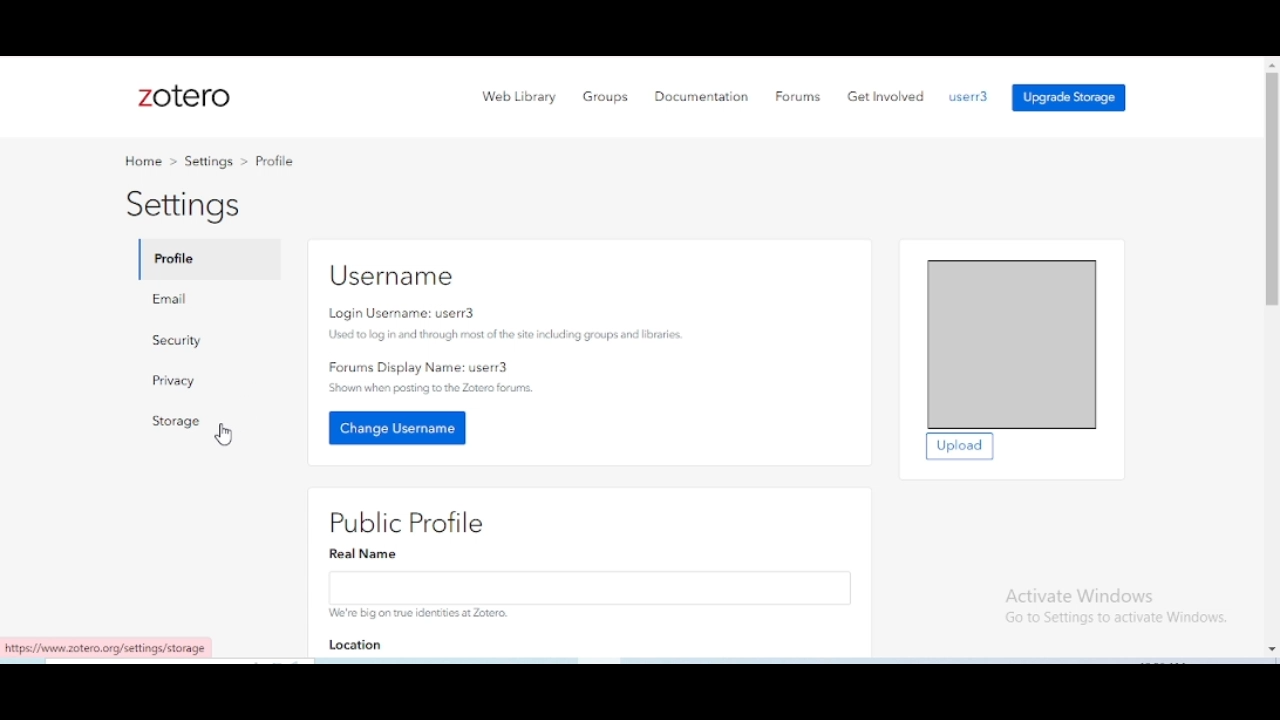  Describe the element at coordinates (590, 587) in the screenshot. I see `enter real name` at that location.